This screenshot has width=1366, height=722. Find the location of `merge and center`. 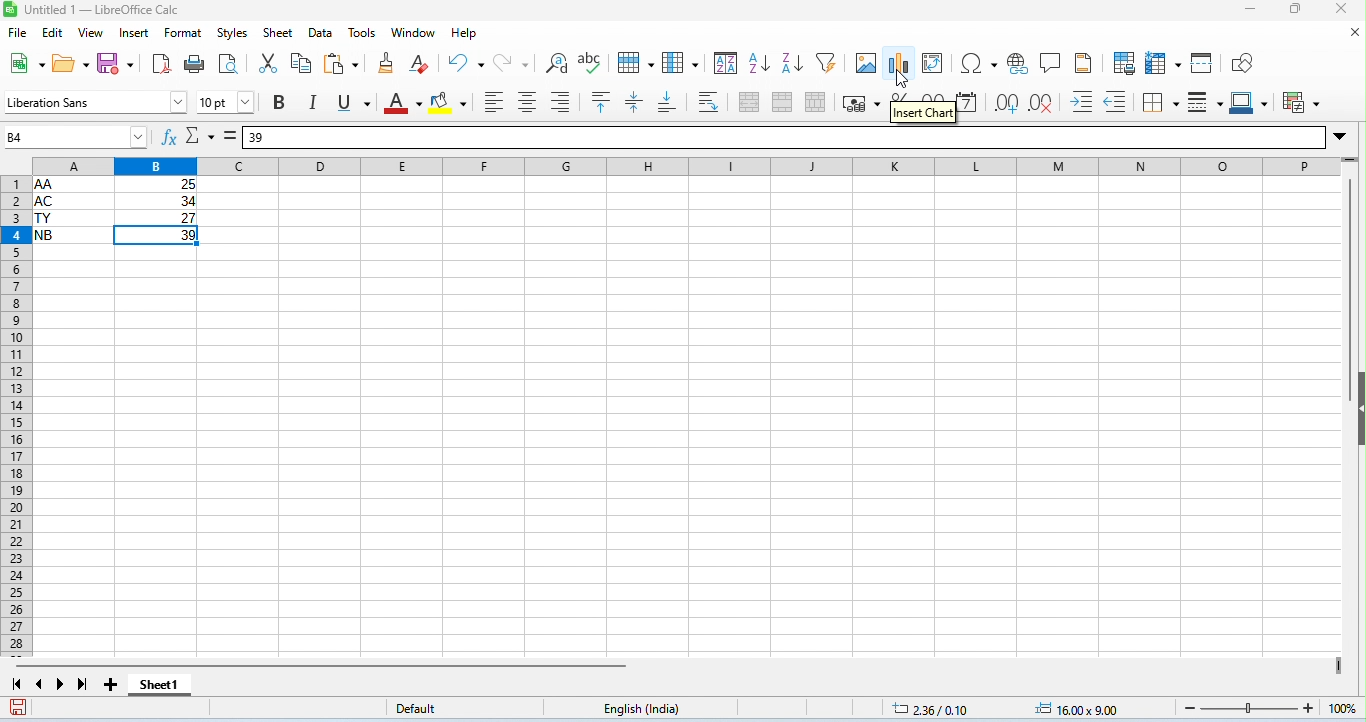

merge and center is located at coordinates (750, 102).